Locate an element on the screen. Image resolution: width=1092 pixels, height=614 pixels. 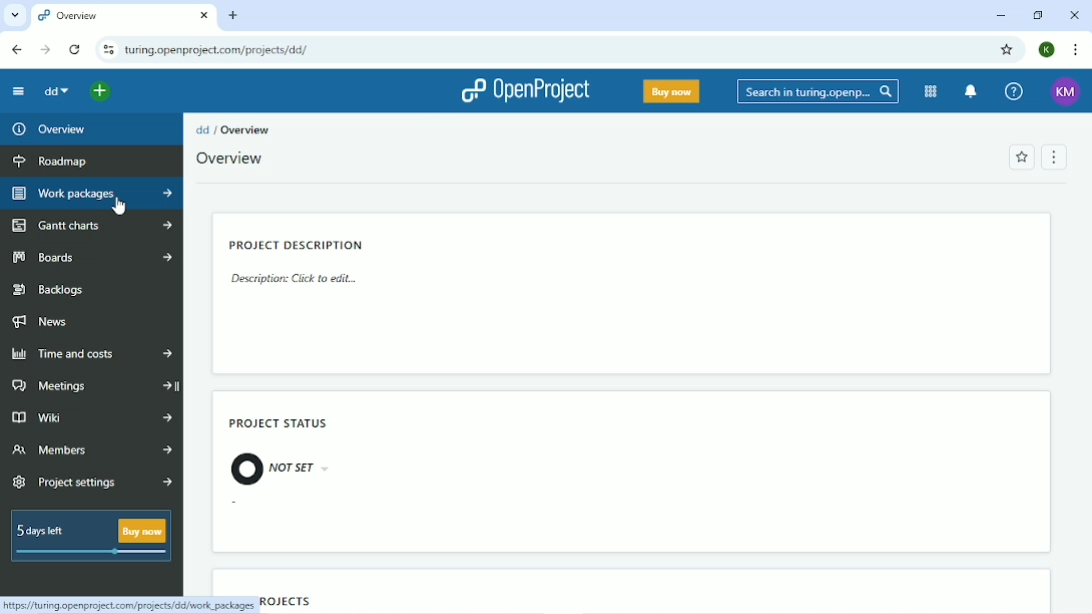
notification is located at coordinates (972, 92).